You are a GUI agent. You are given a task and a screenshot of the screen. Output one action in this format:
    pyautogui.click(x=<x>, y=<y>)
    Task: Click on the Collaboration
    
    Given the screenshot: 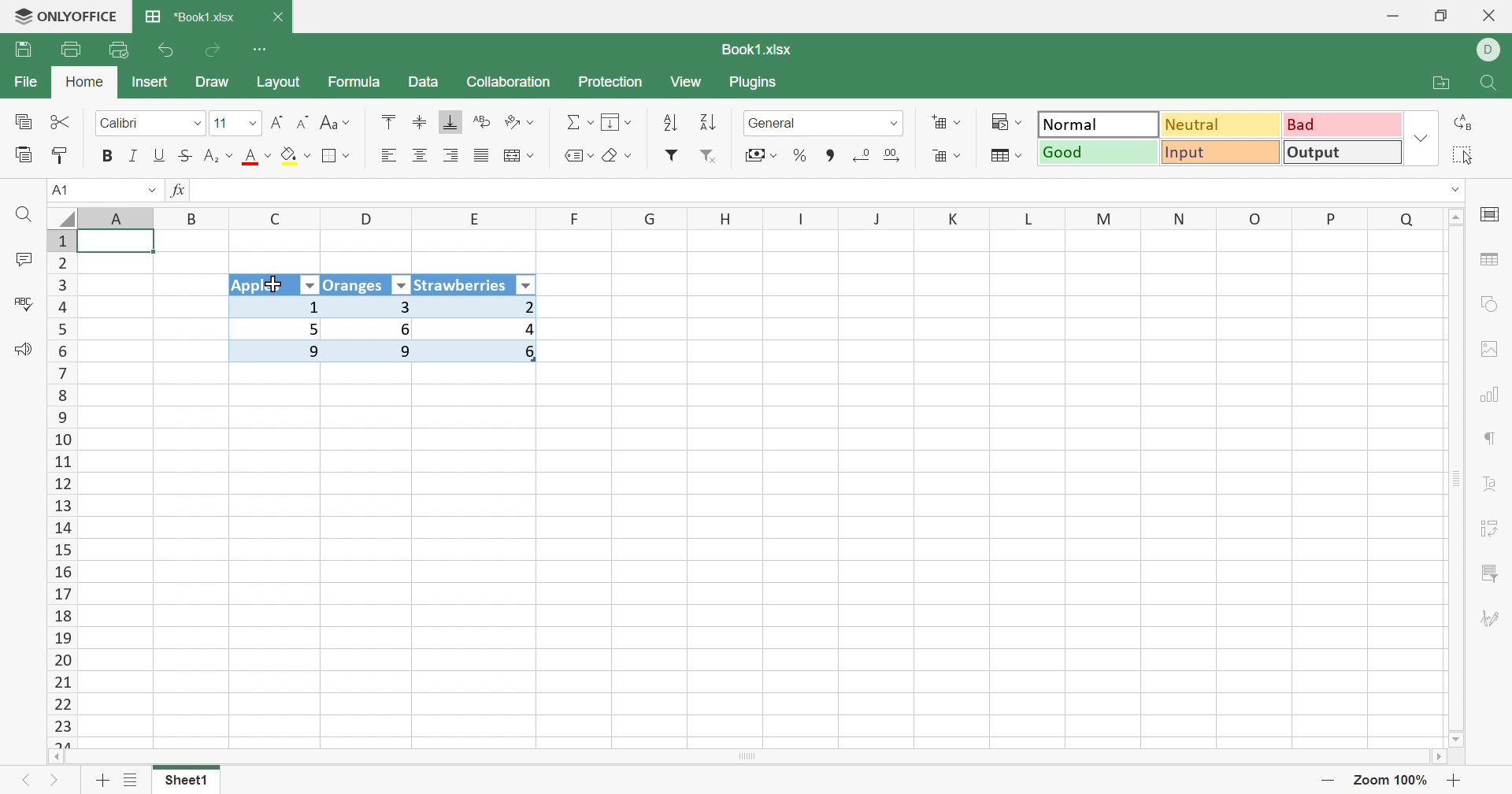 What is the action you would take?
    pyautogui.click(x=508, y=80)
    